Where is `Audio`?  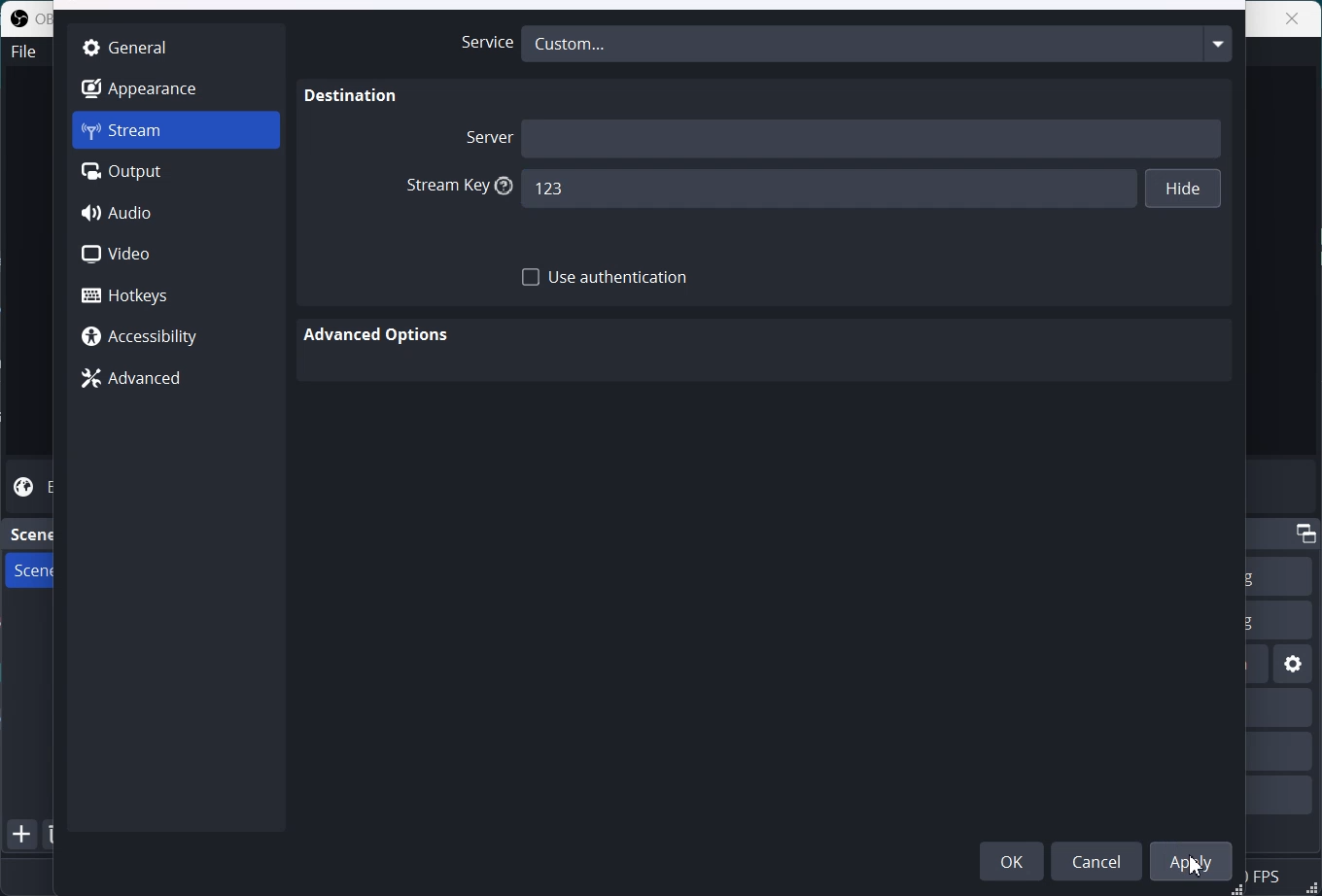
Audio is located at coordinates (177, 213).